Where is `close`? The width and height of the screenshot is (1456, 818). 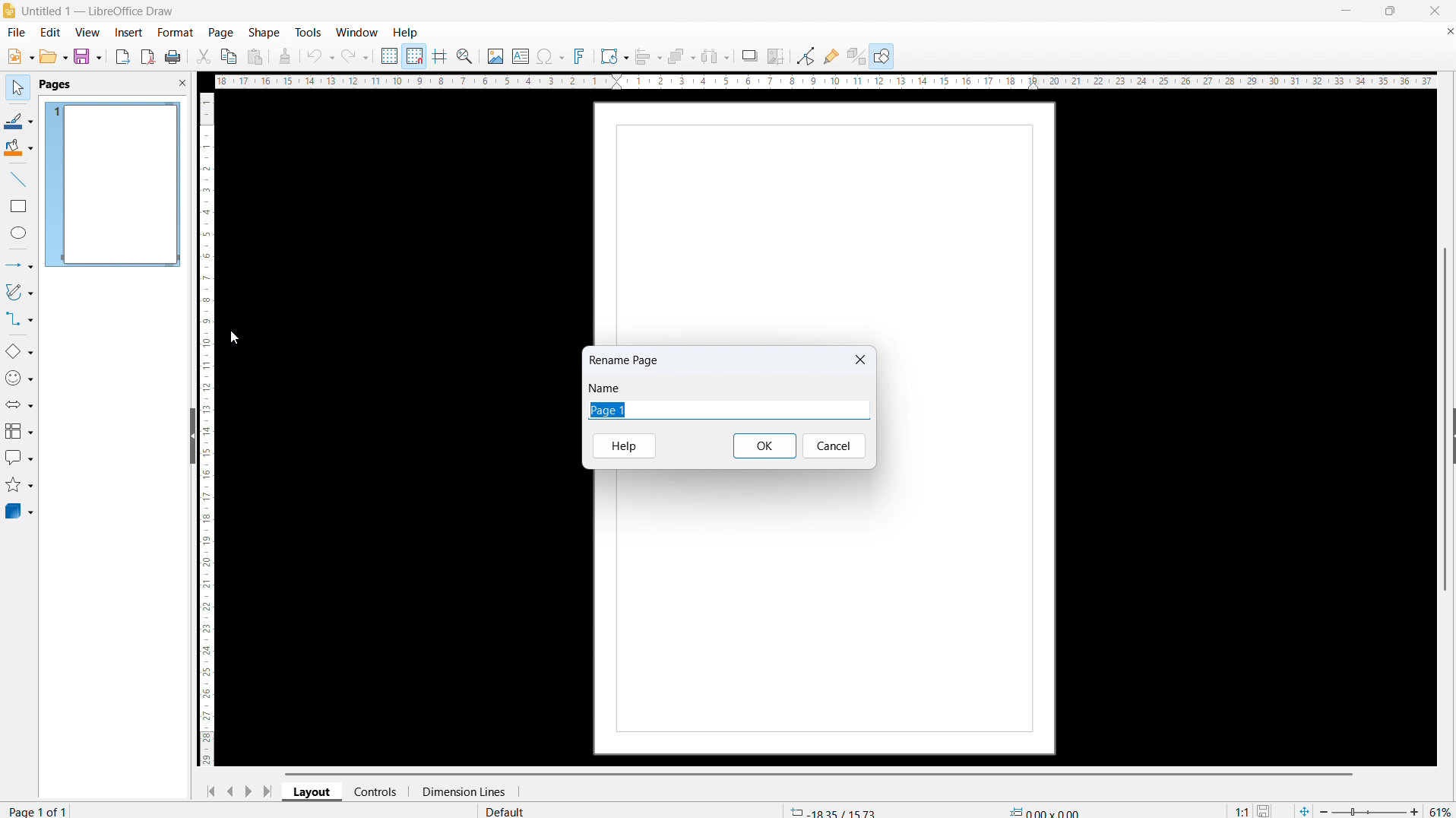
close is located at coordinates (1435, 11).